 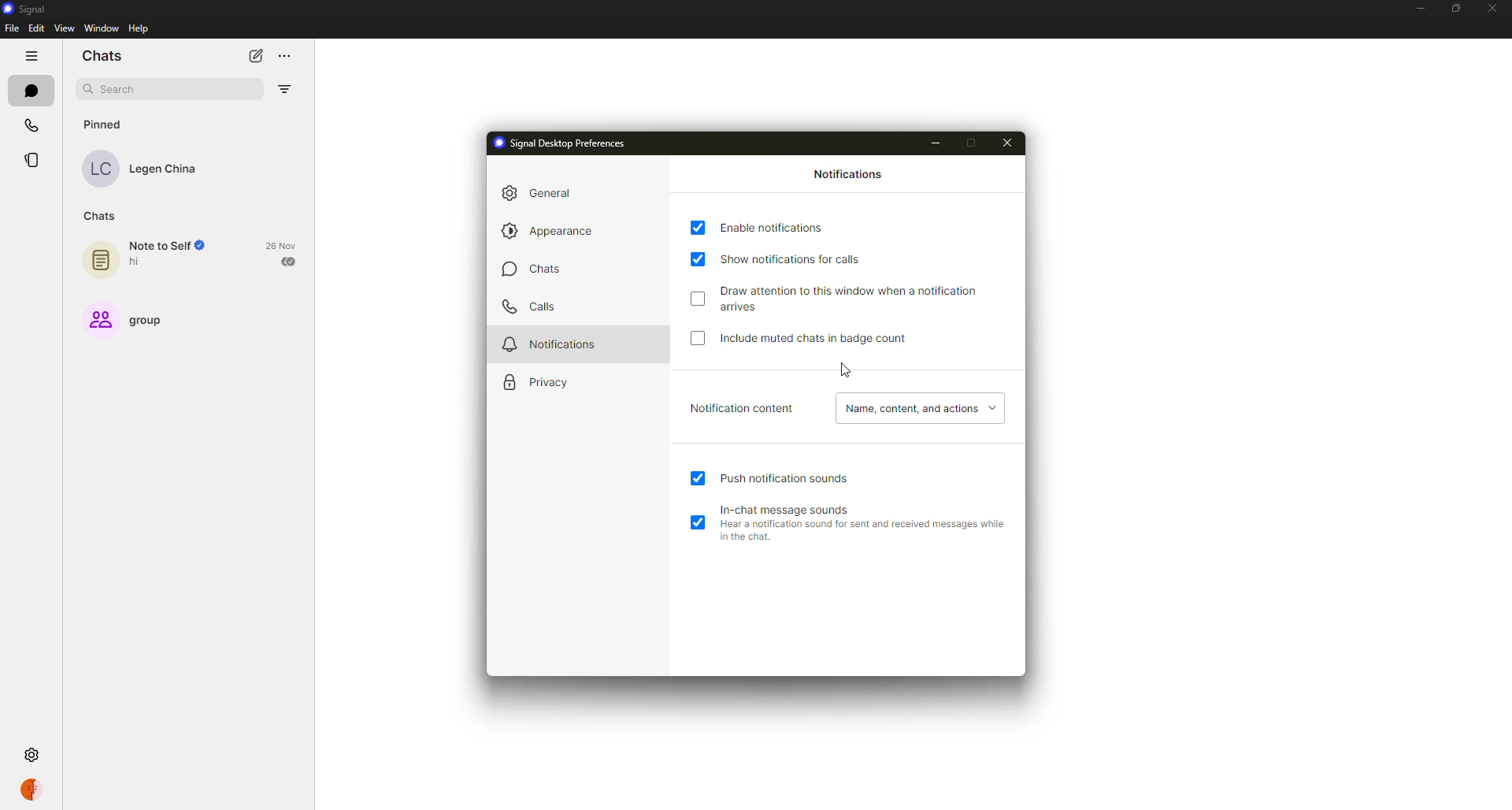 What do you see at coordinates (863, 519) in the screenshot?
I see `in-chat message sounds` at bounding box center [863, 519].